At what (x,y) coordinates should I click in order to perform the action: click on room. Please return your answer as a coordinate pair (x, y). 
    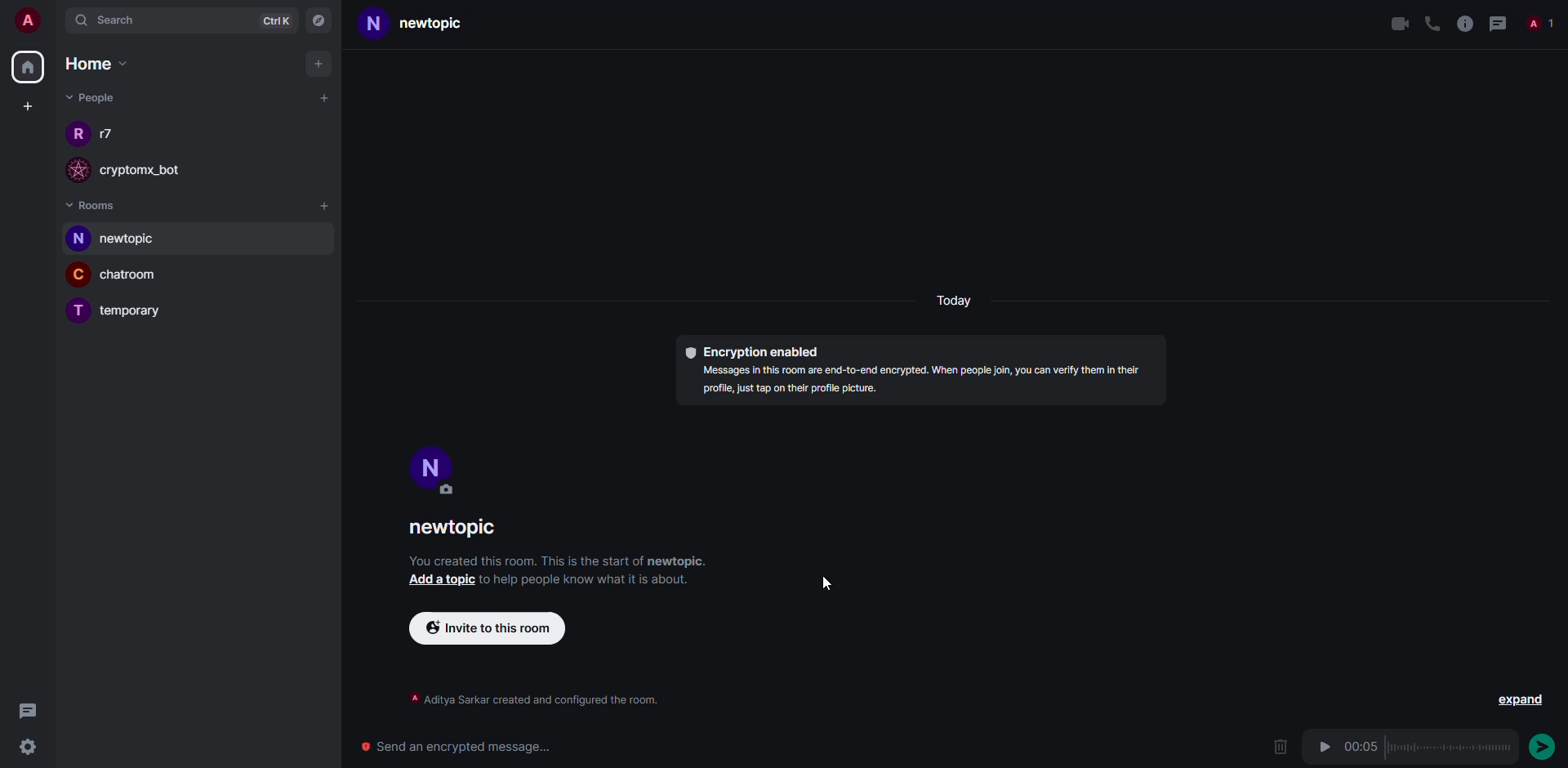
    Looking at the image, I should click on (454, 530).